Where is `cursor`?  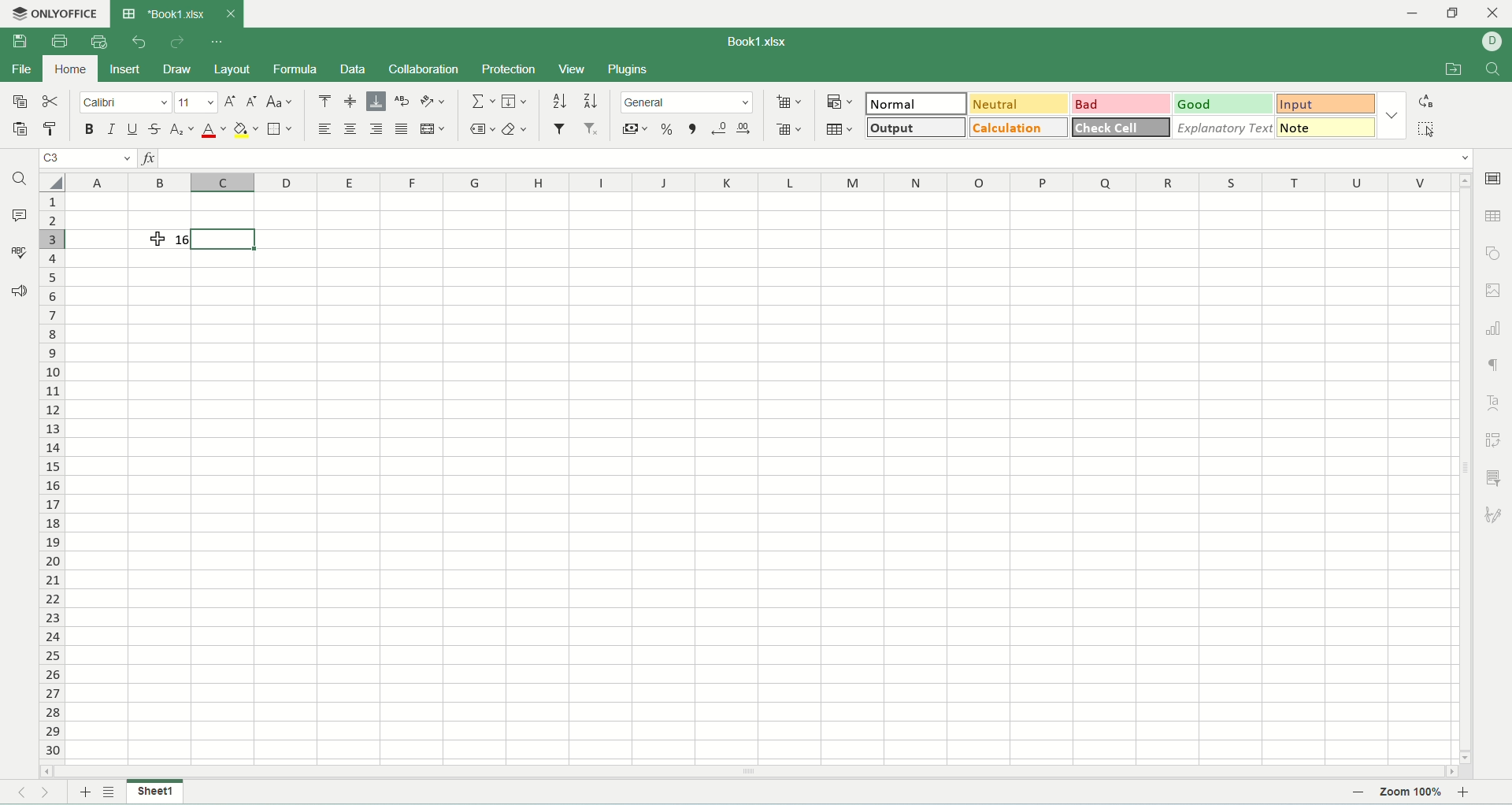 cursor is located at coordinates (160, 239).